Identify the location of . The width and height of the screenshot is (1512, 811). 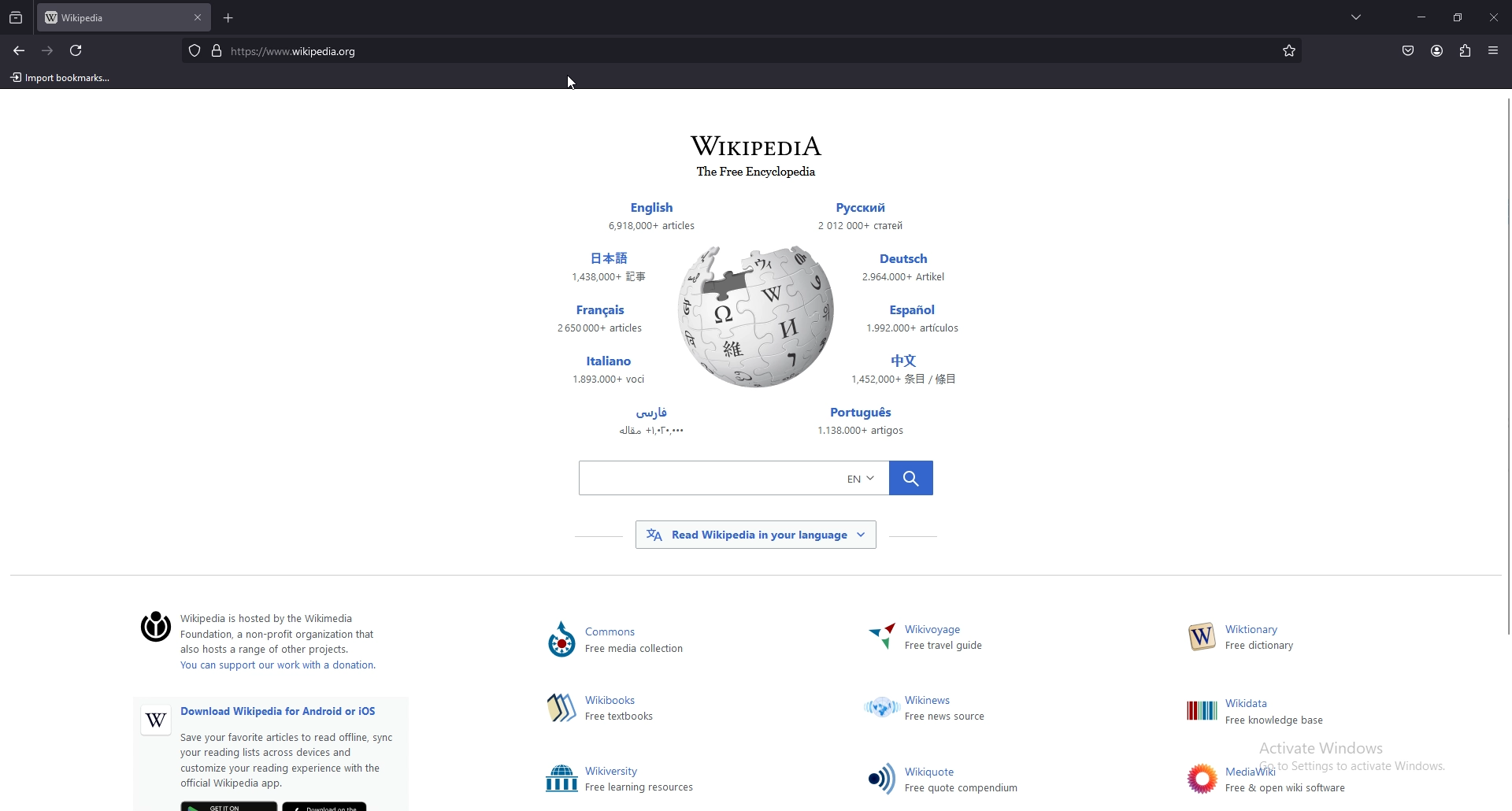
(921, 321).